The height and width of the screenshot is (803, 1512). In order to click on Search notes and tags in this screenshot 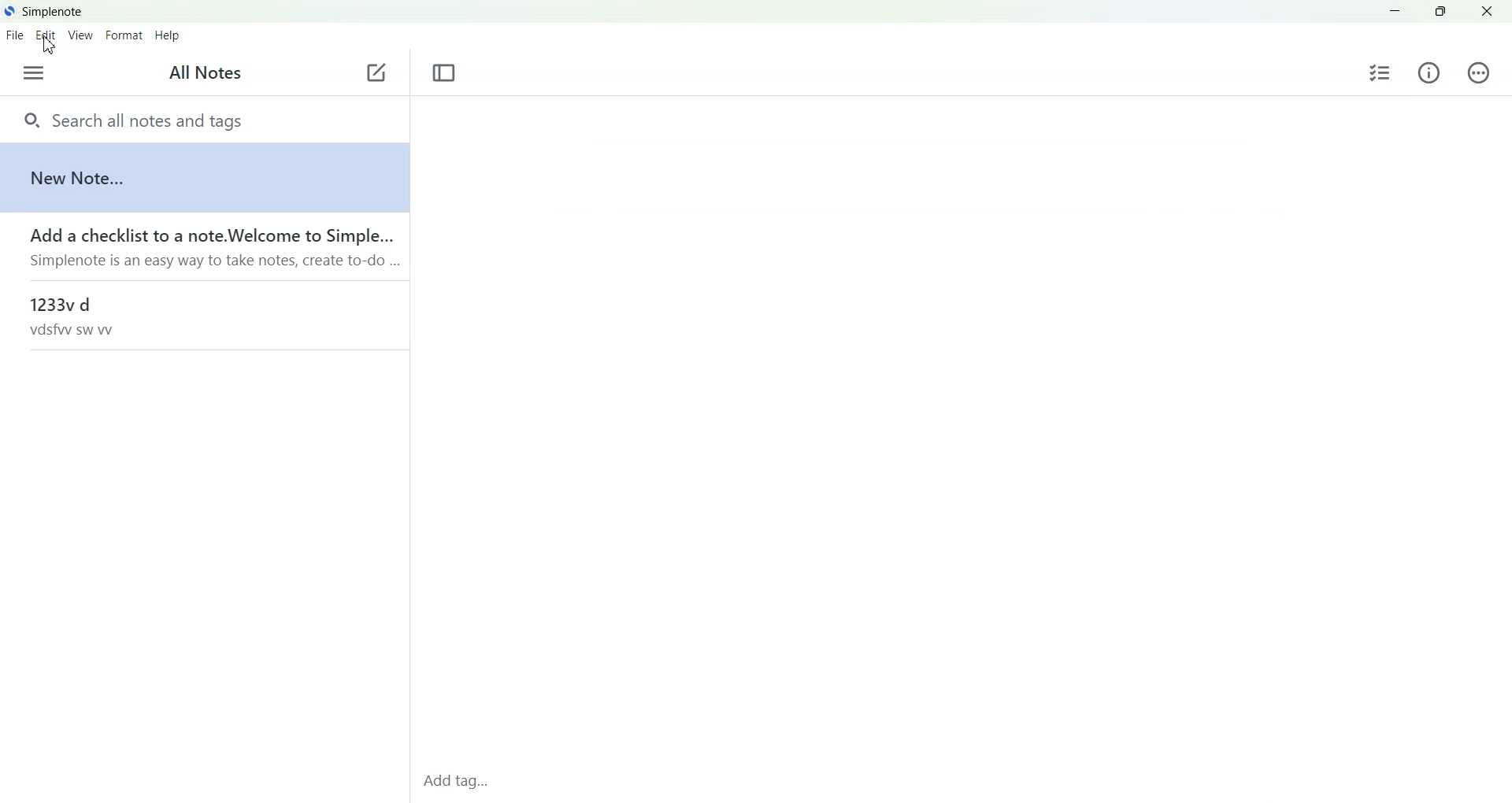, I will do `click(203, 119)`.